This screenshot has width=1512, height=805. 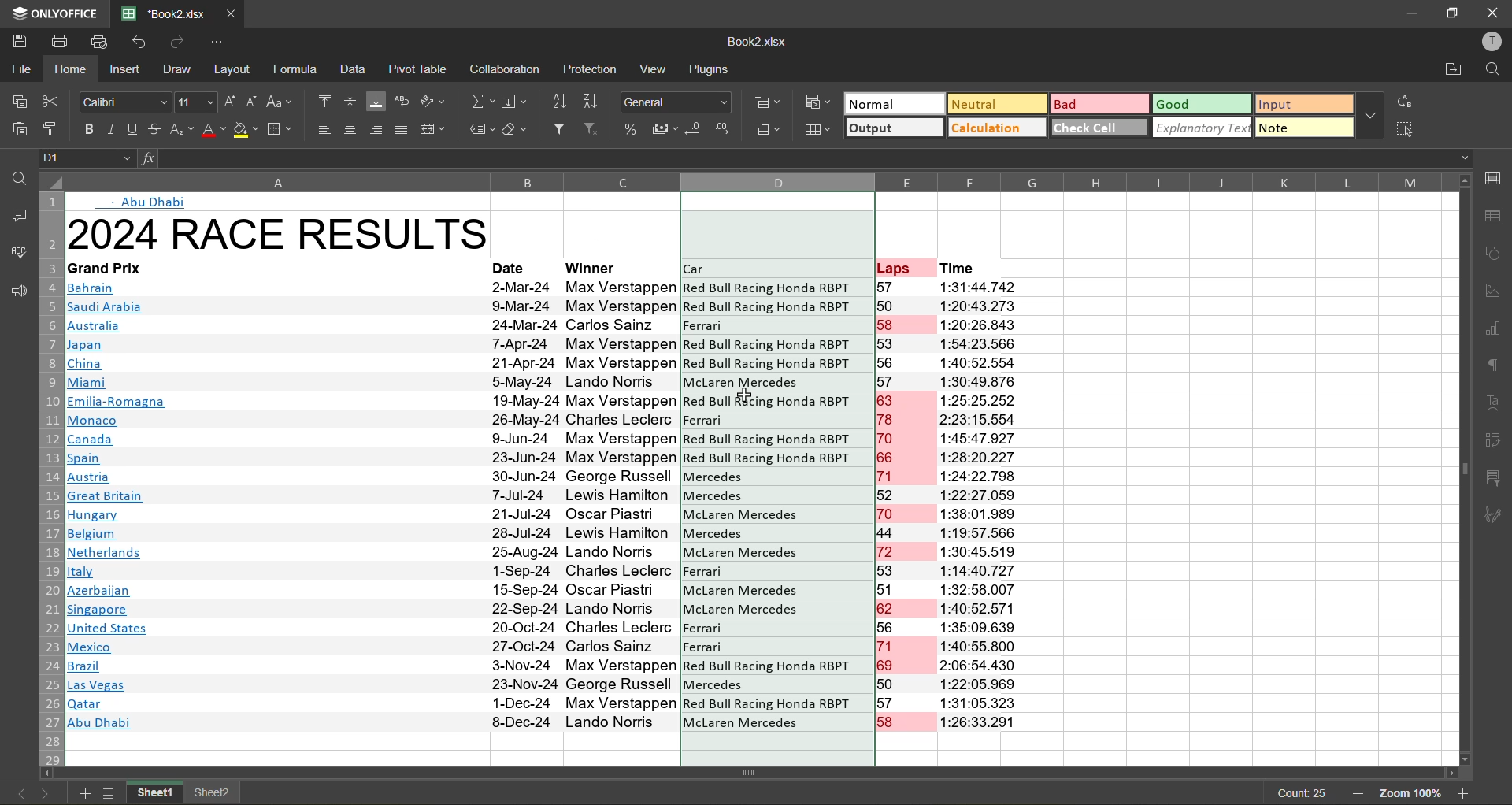 I want to click on accounting, so click(x=666, y=128).